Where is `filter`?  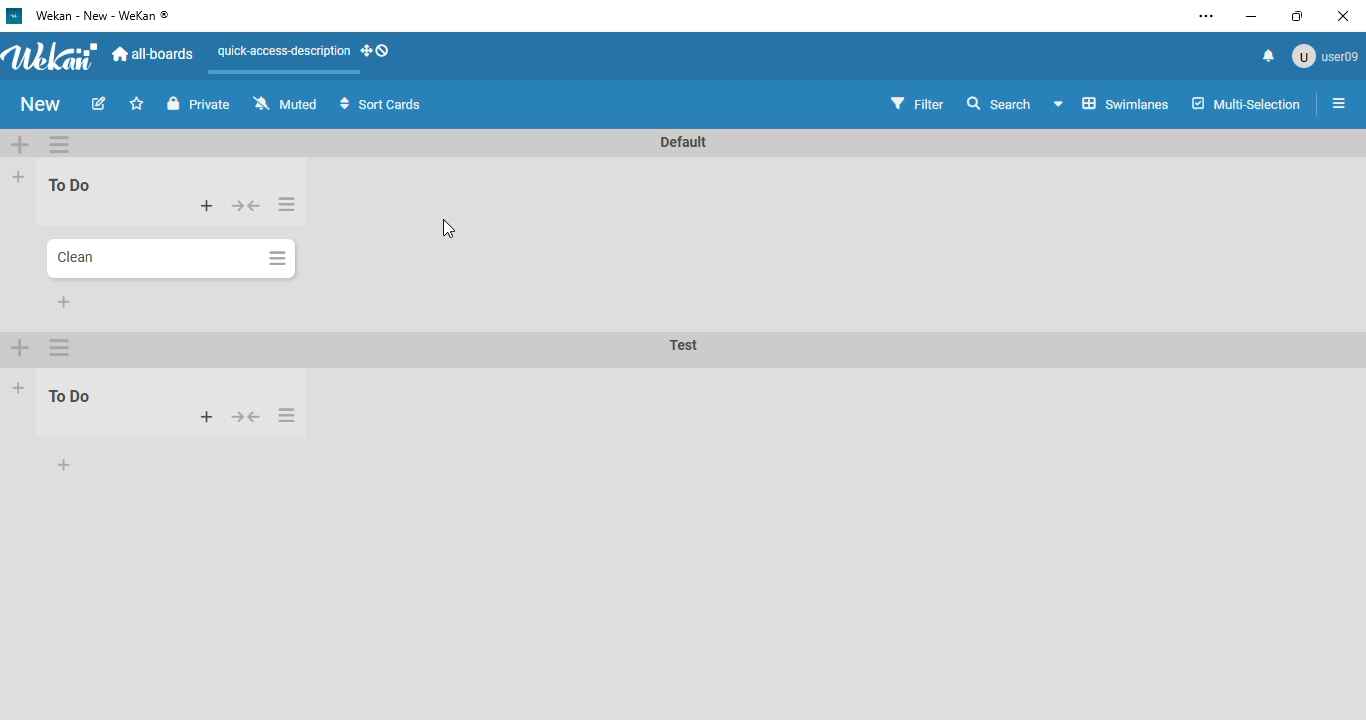 filter is located at coordinates (917, 102).